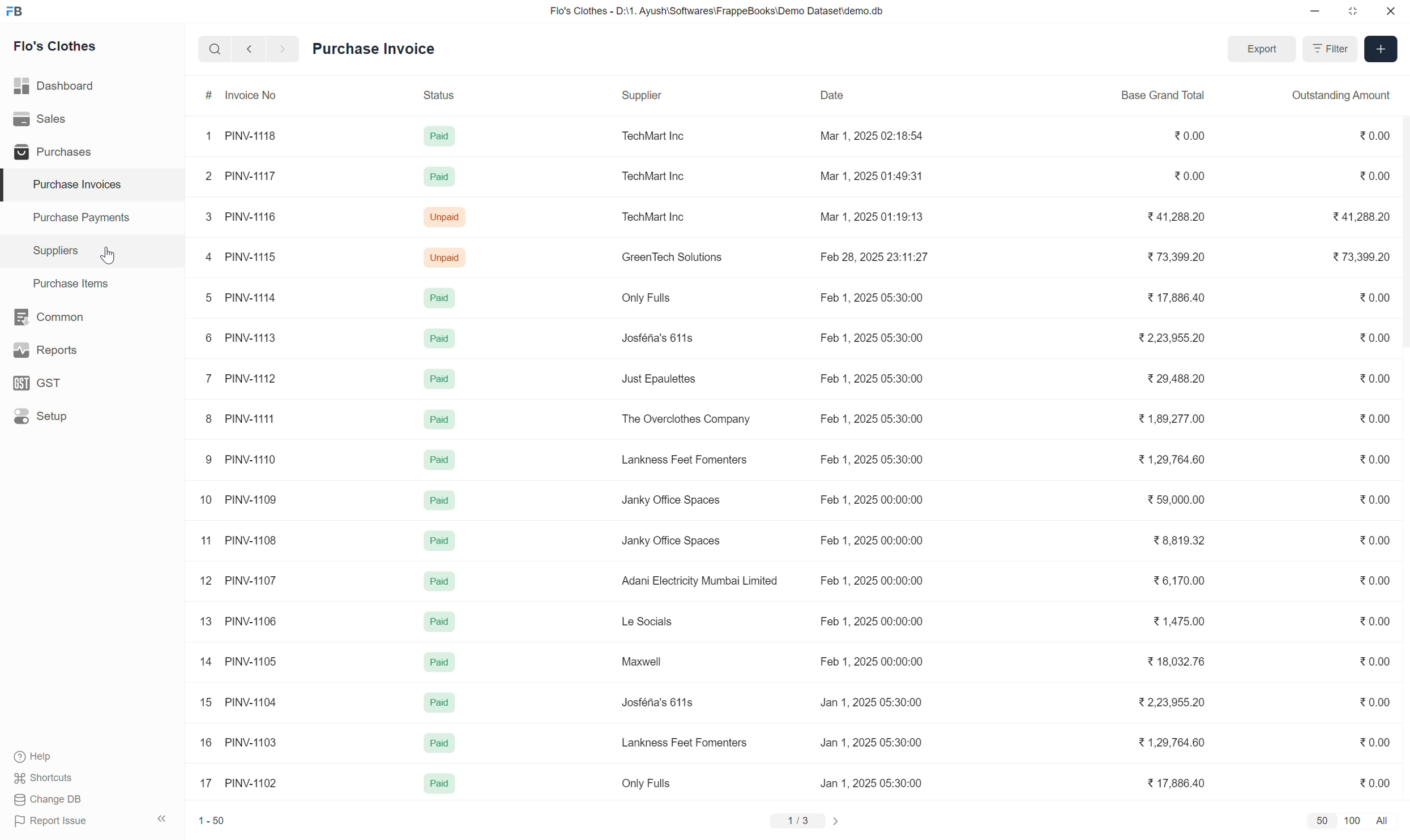  Describe the element at coordinates (871, 701) in the screenshot. I see `Jan 1, 2025 05:30:00` at that location.